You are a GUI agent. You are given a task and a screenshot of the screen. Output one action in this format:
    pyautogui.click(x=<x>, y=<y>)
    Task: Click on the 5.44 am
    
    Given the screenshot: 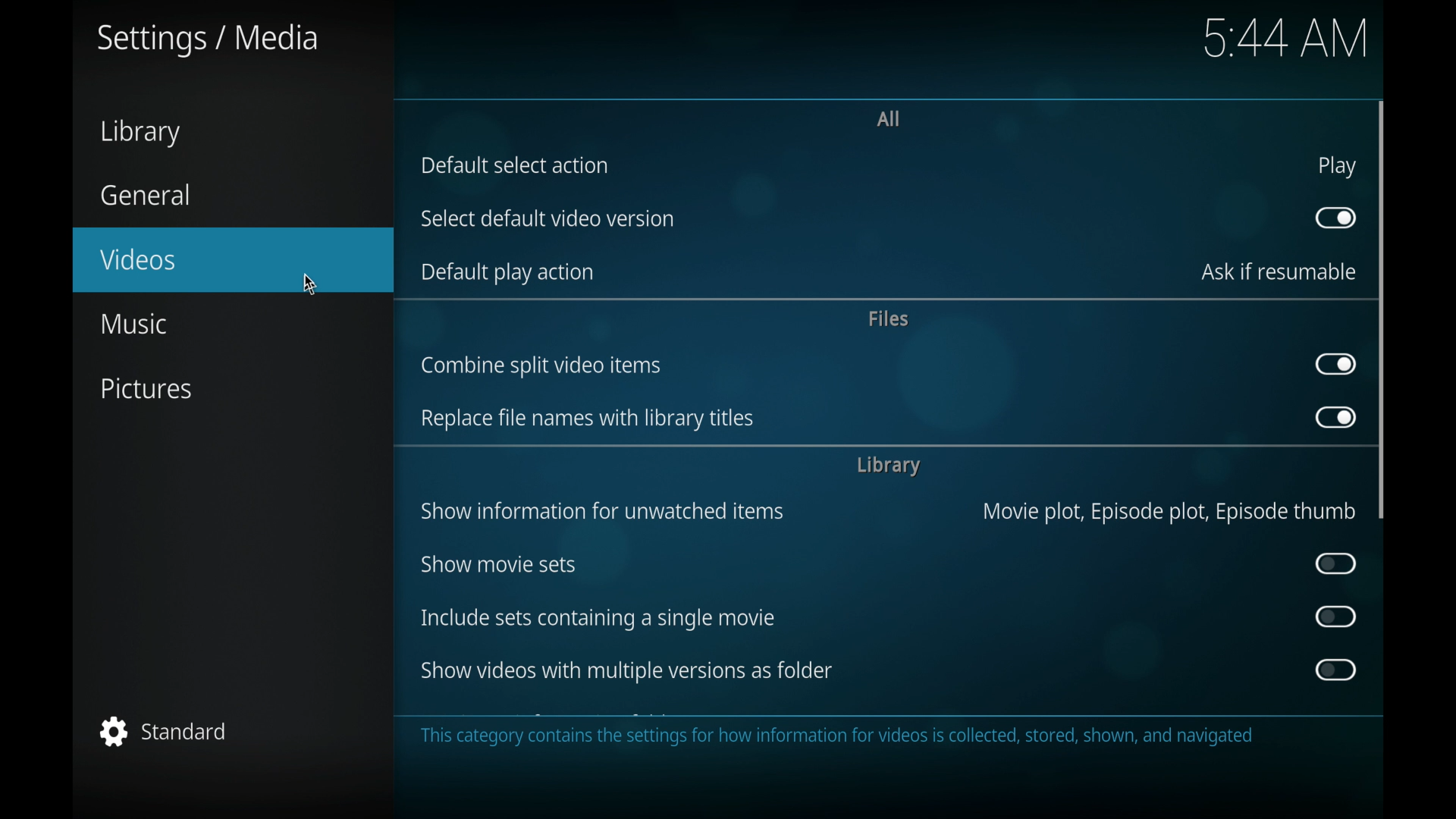 What is the action you would take?
    pyautogui.click(x=1289, y=40)
    